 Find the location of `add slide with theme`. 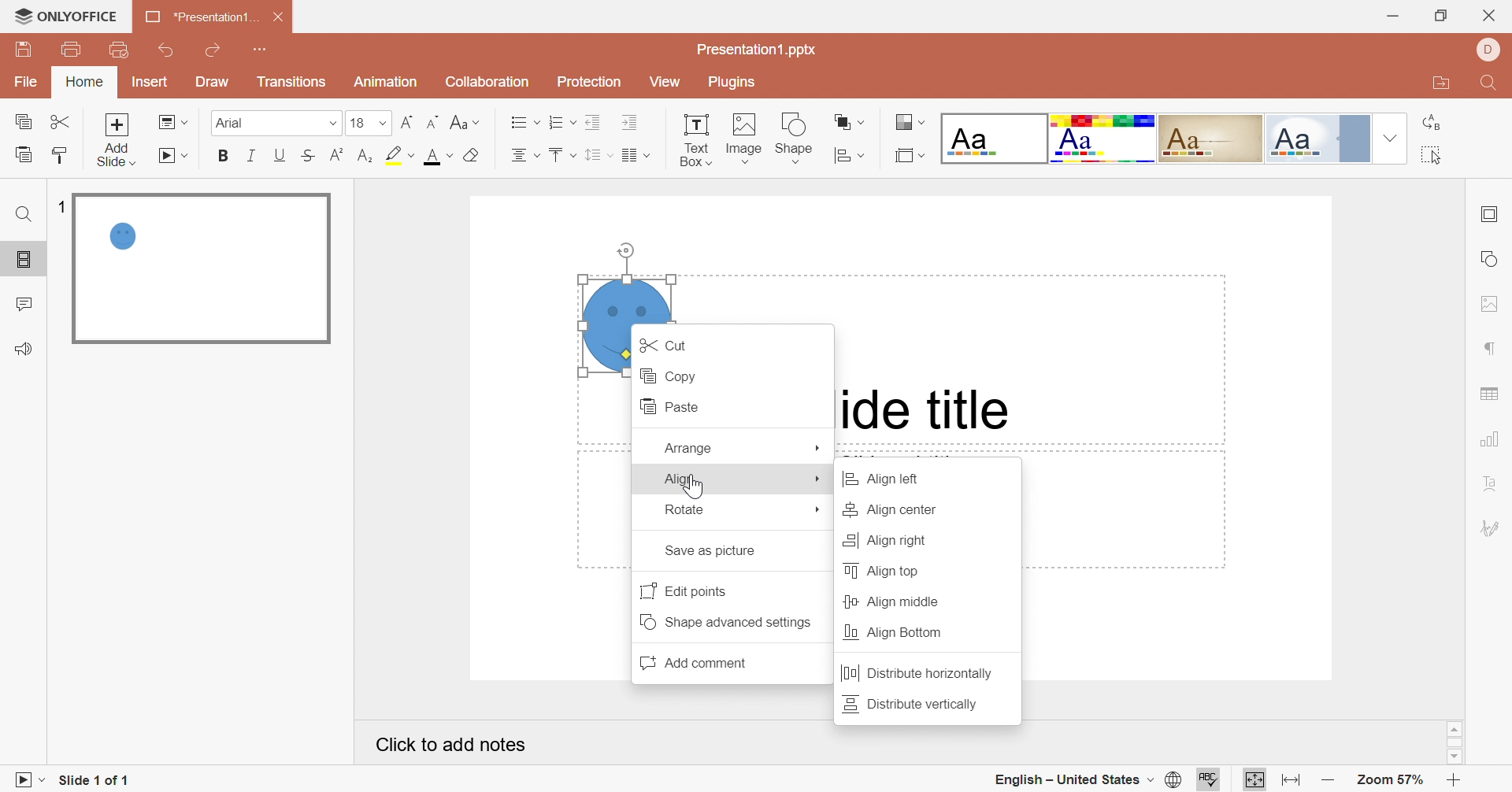

add slide with theme is located at coordinates (115, 154).